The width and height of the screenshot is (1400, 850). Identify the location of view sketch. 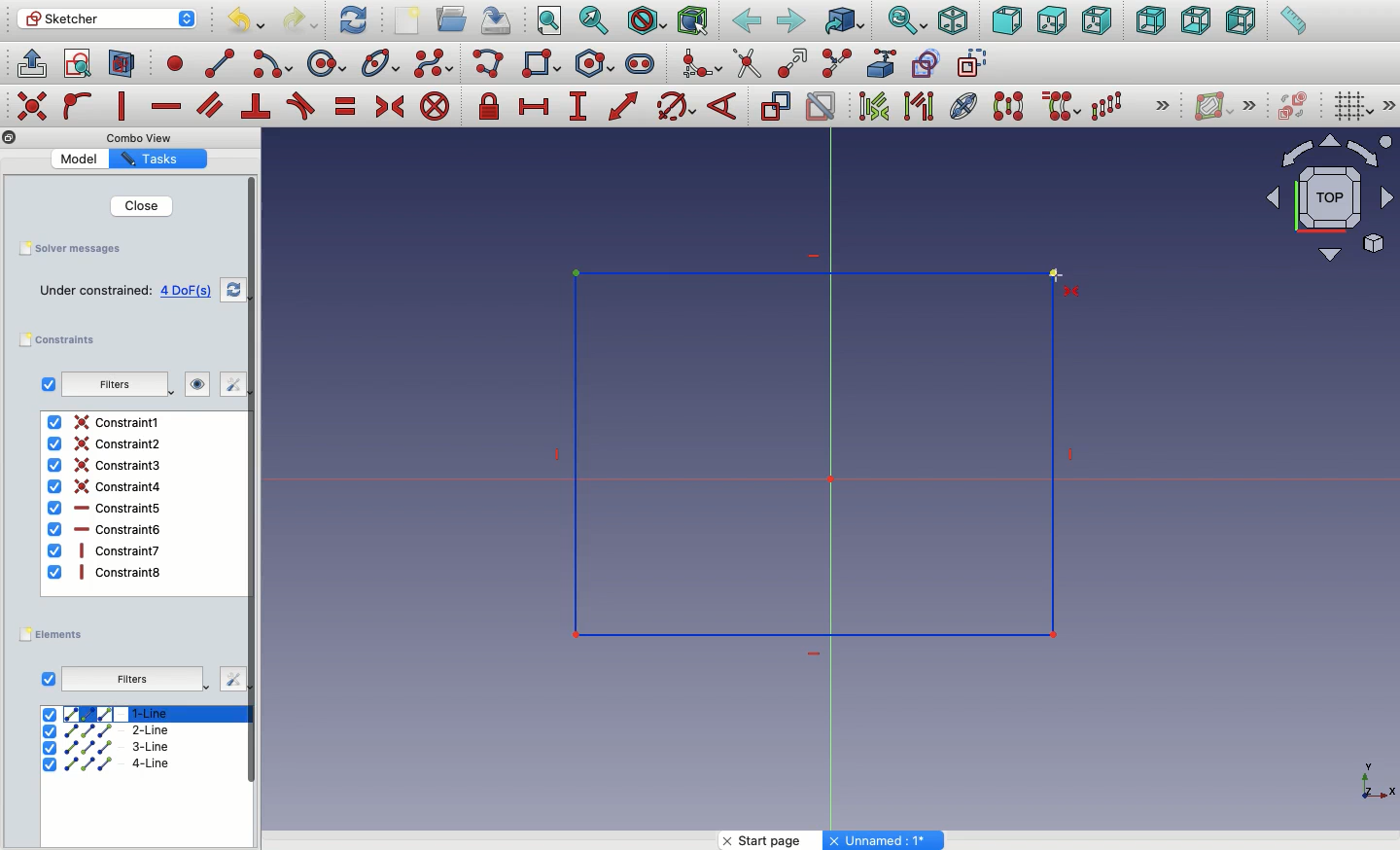
(81, 65).